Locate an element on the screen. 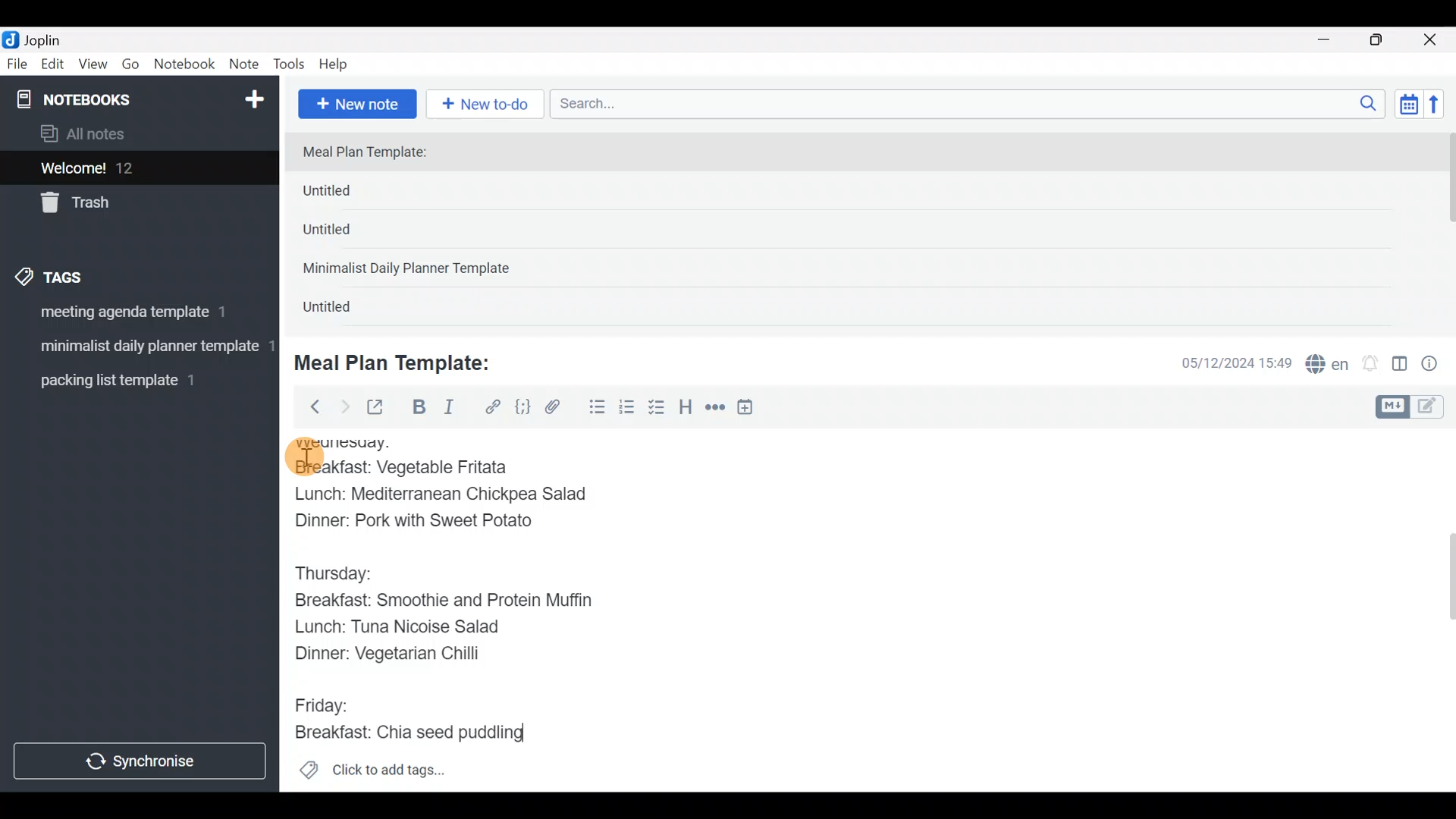 The width and height of the screenshot is (1456, 819). Back is located at coordinates (309, 406).